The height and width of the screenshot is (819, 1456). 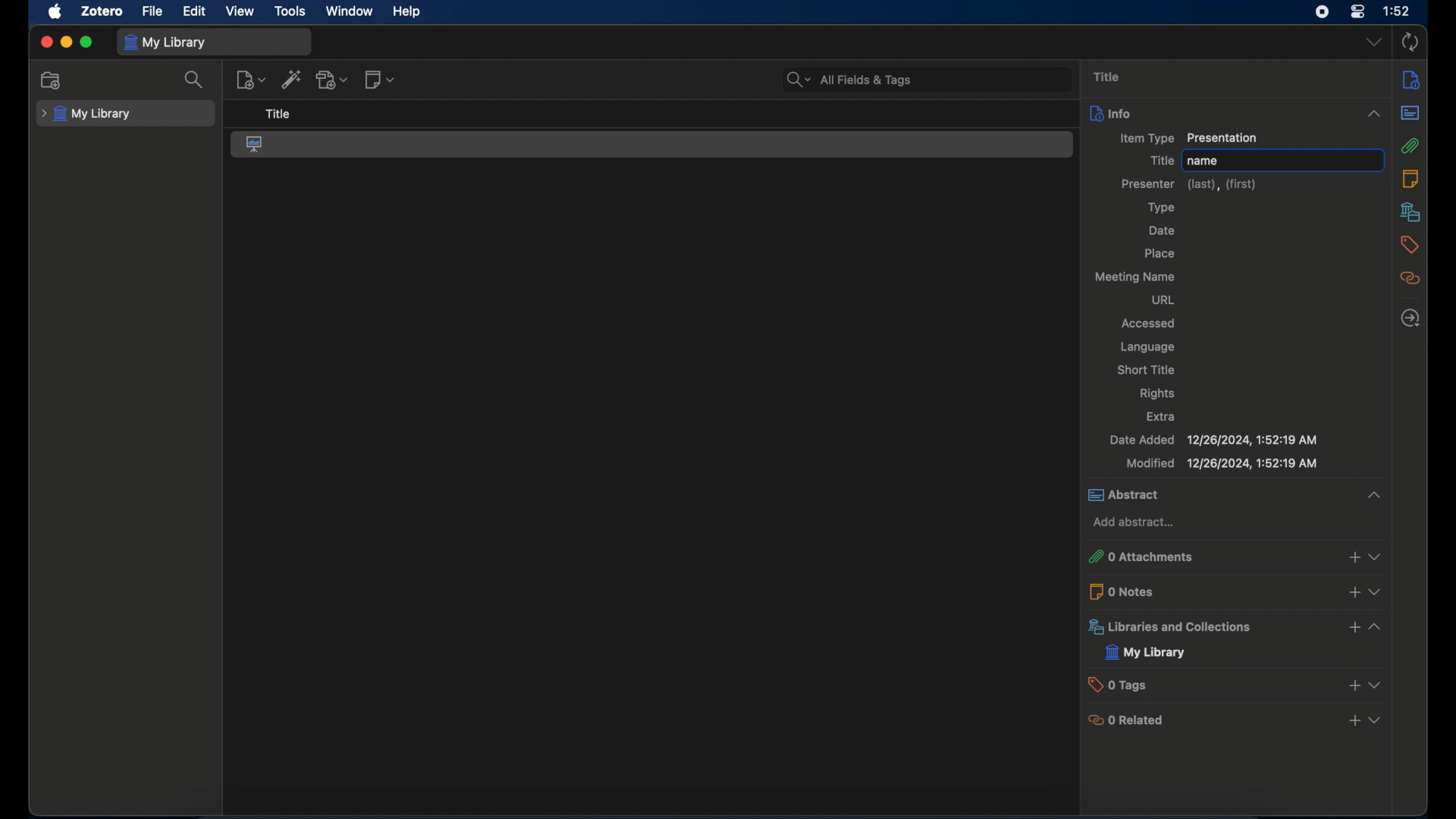 What do you see at coordinates (293, 79) in the screenshot?
I see `add item by identifier` at bounding box center [293, 79].